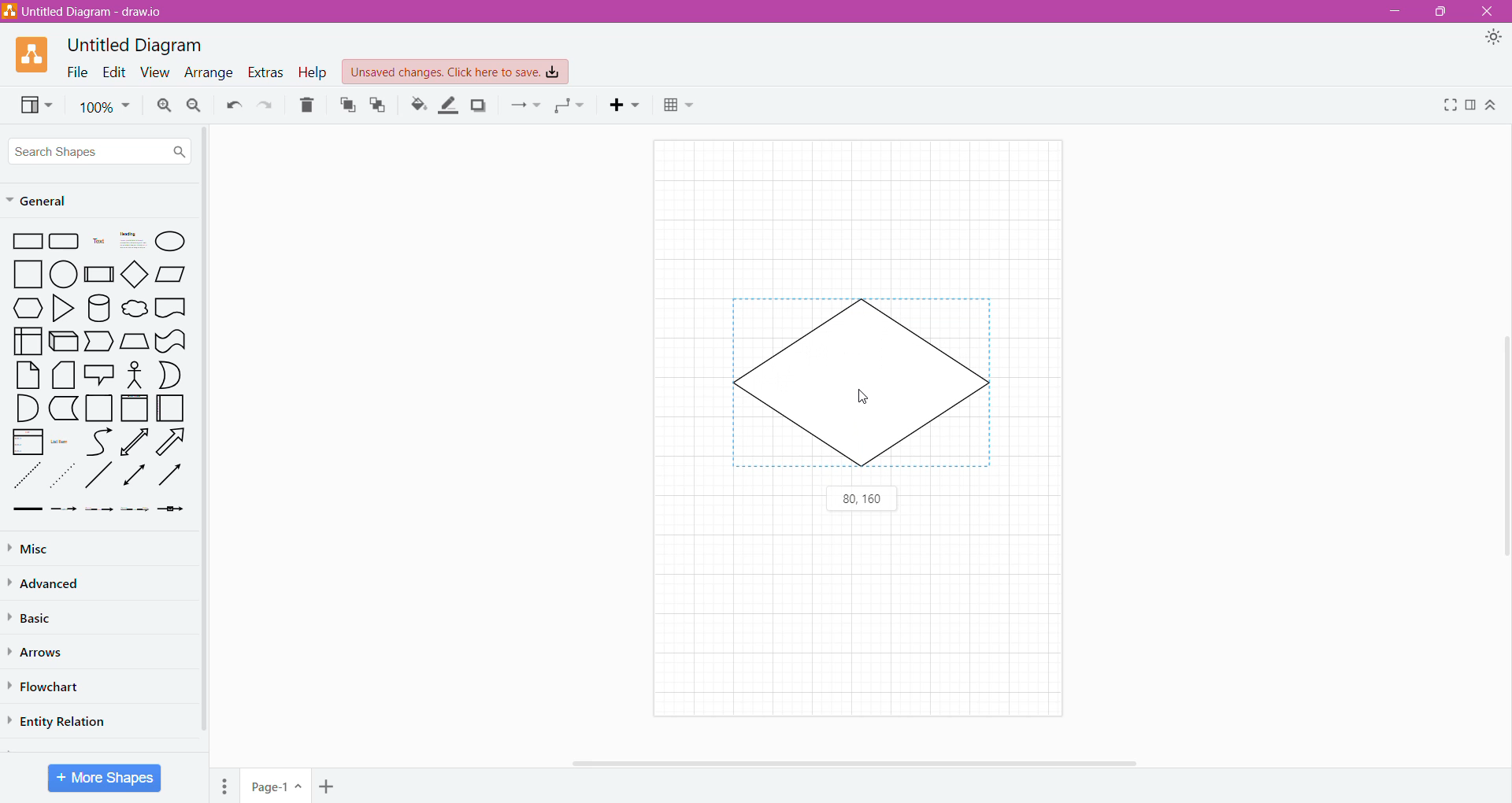 The width and height of the screenshot is (1512, 803). Describe the element at coordinates (328, 785) in the screenshot. I see `Insert Page` at that location.